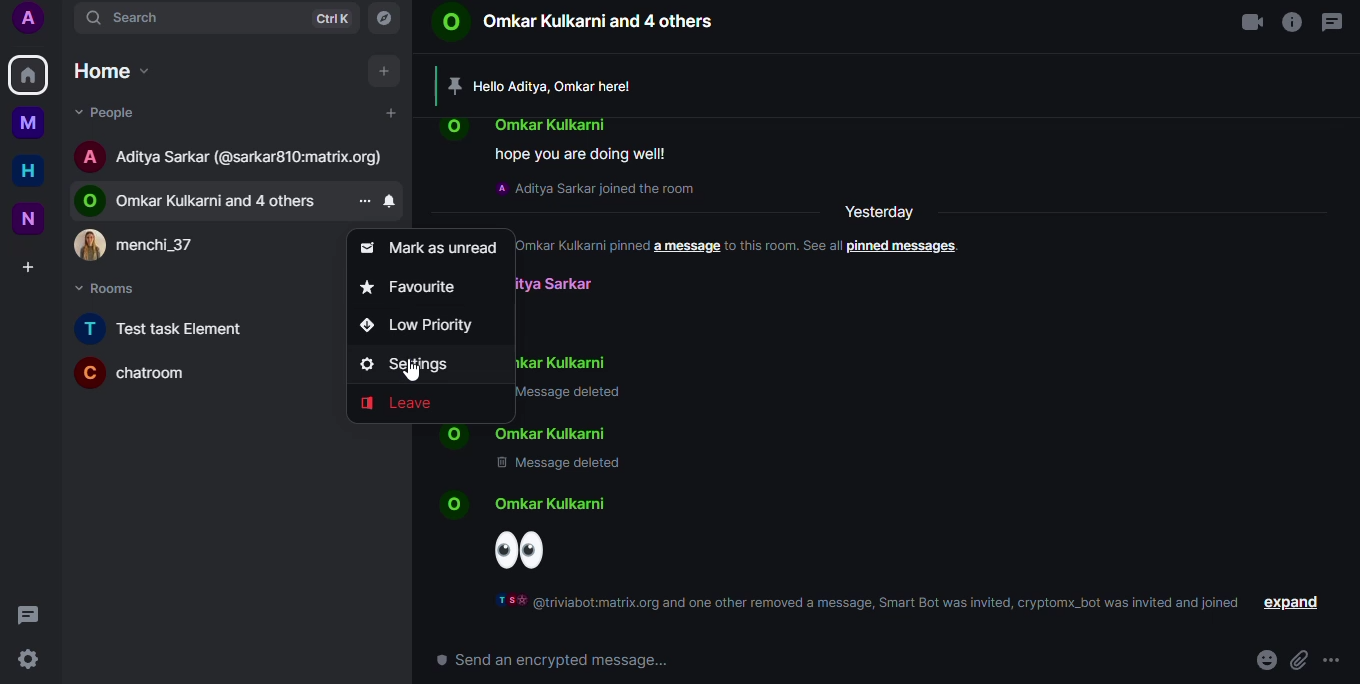  What do you see at coordinates (419, 371) in the screenshot?
I see `cursor` at bounding box center [419, 371].